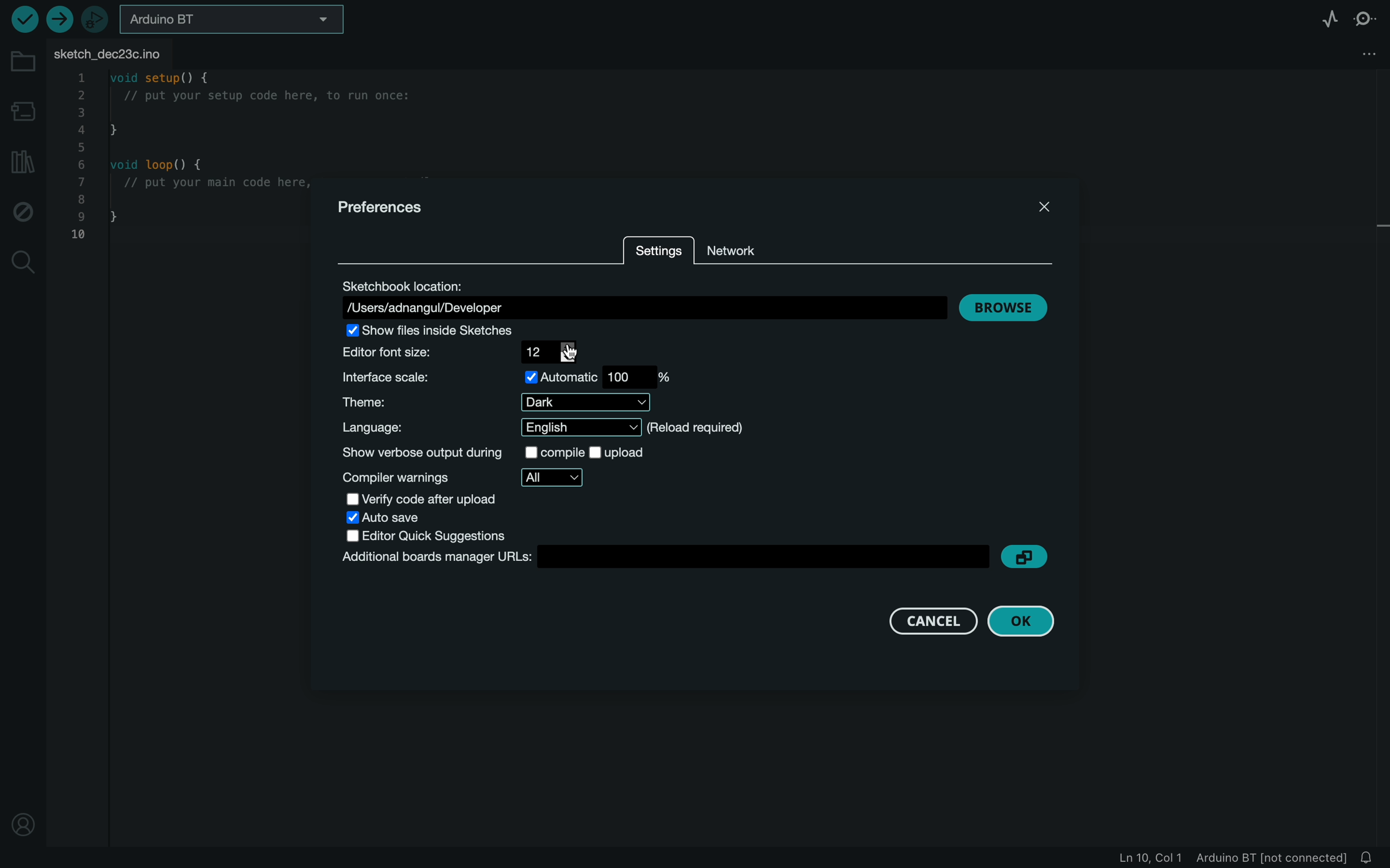 The height and width of the screenshot is (868, 1390). I want to click on board manager, so click(22, 108).